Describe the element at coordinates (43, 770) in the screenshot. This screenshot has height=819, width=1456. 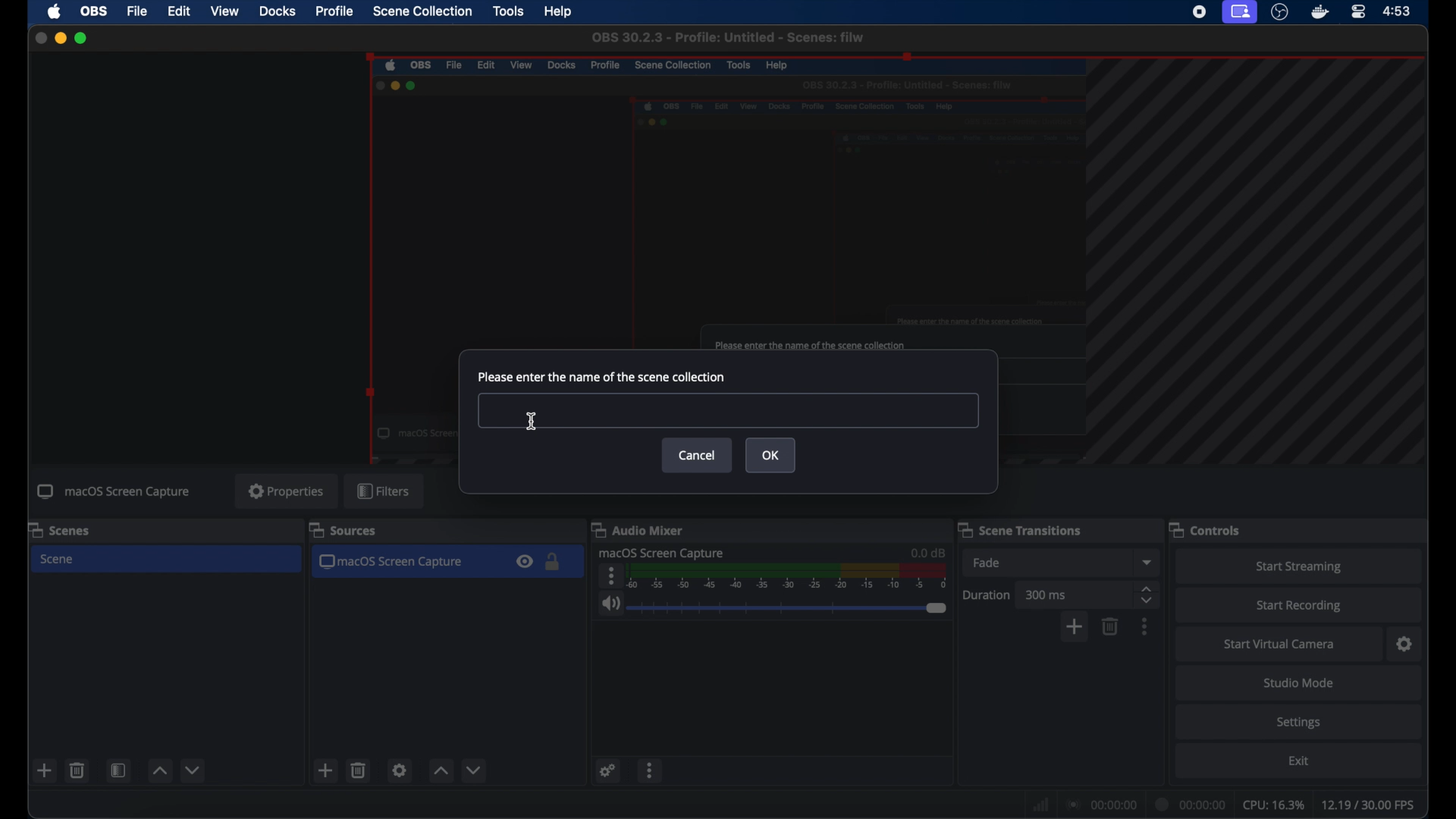
I see `new ` at that location.